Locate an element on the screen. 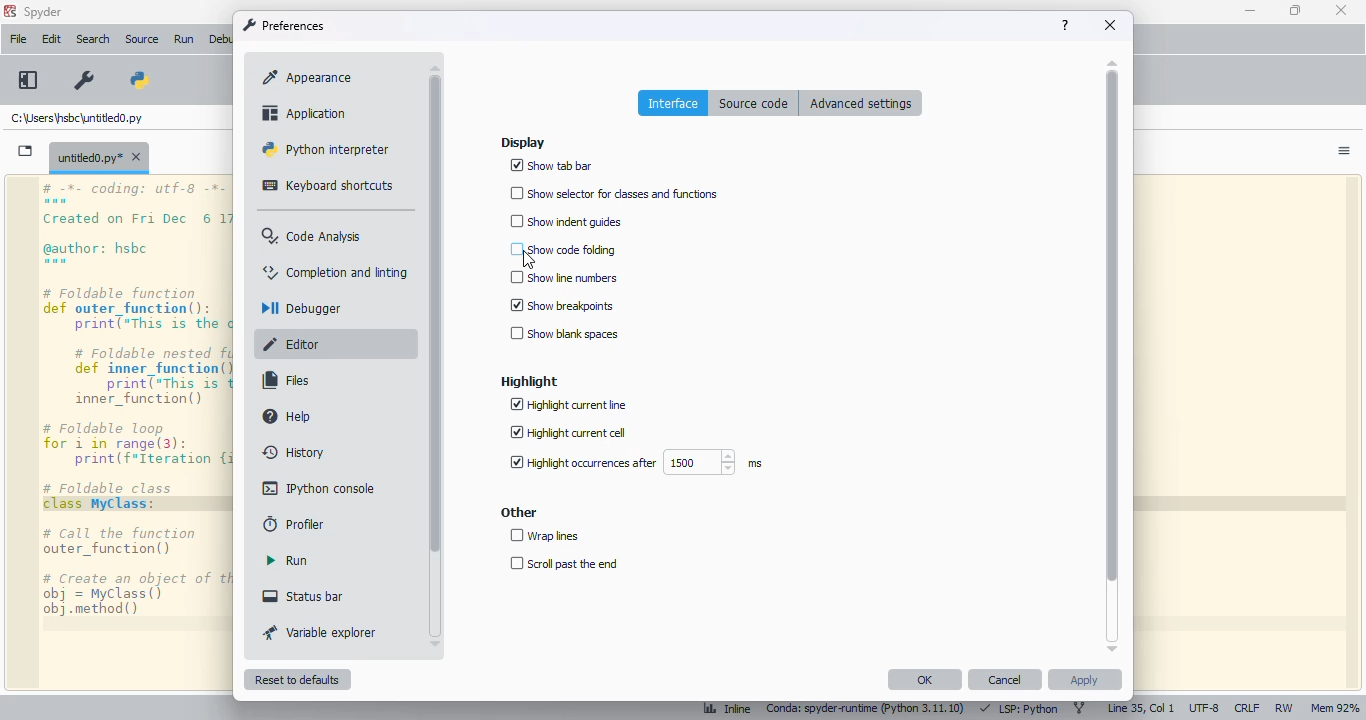  application is located at coordinates (302, 113).